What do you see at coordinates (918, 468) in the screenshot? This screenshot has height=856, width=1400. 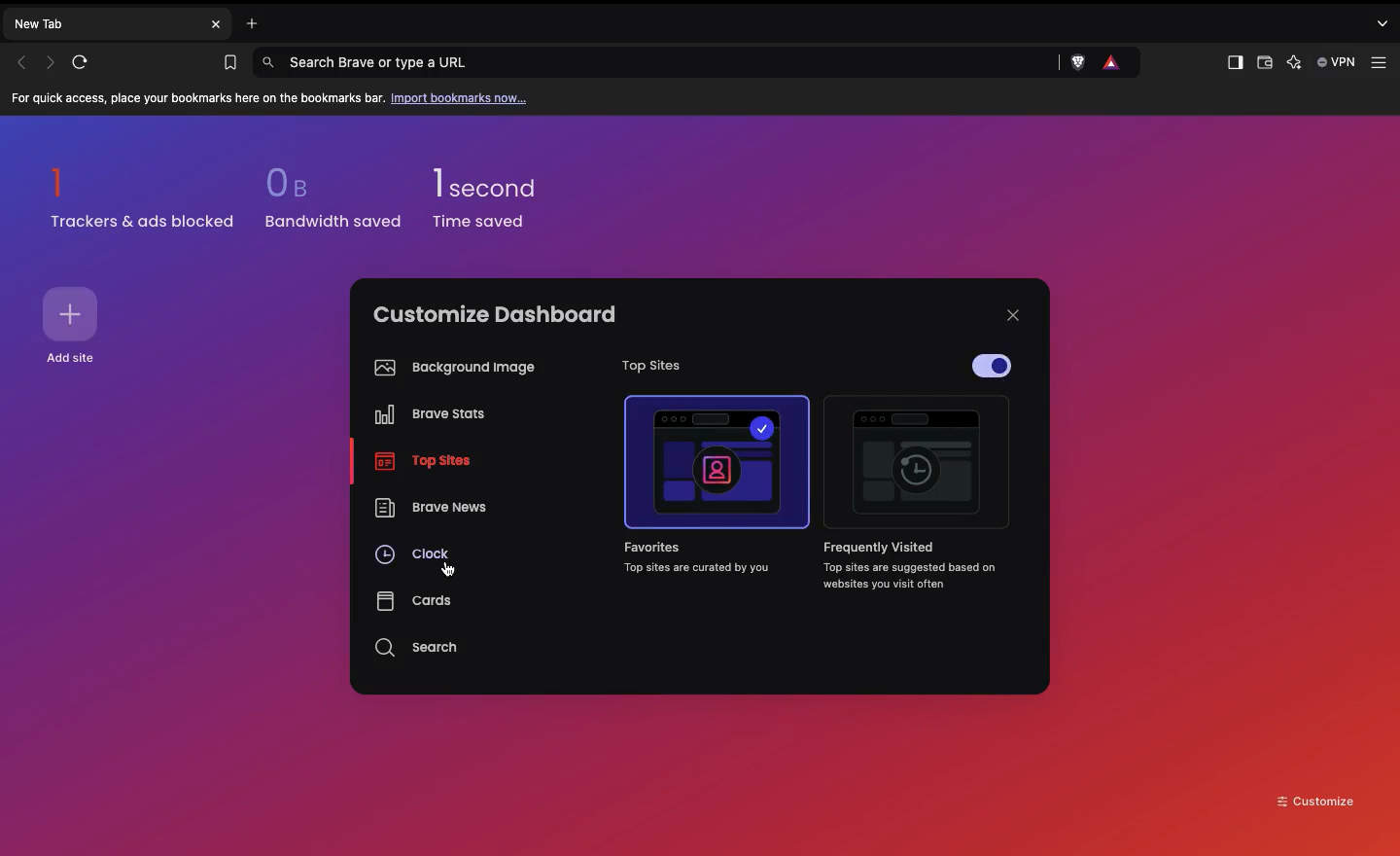 I see `Frequently visited` at bounding box center [918, 468].